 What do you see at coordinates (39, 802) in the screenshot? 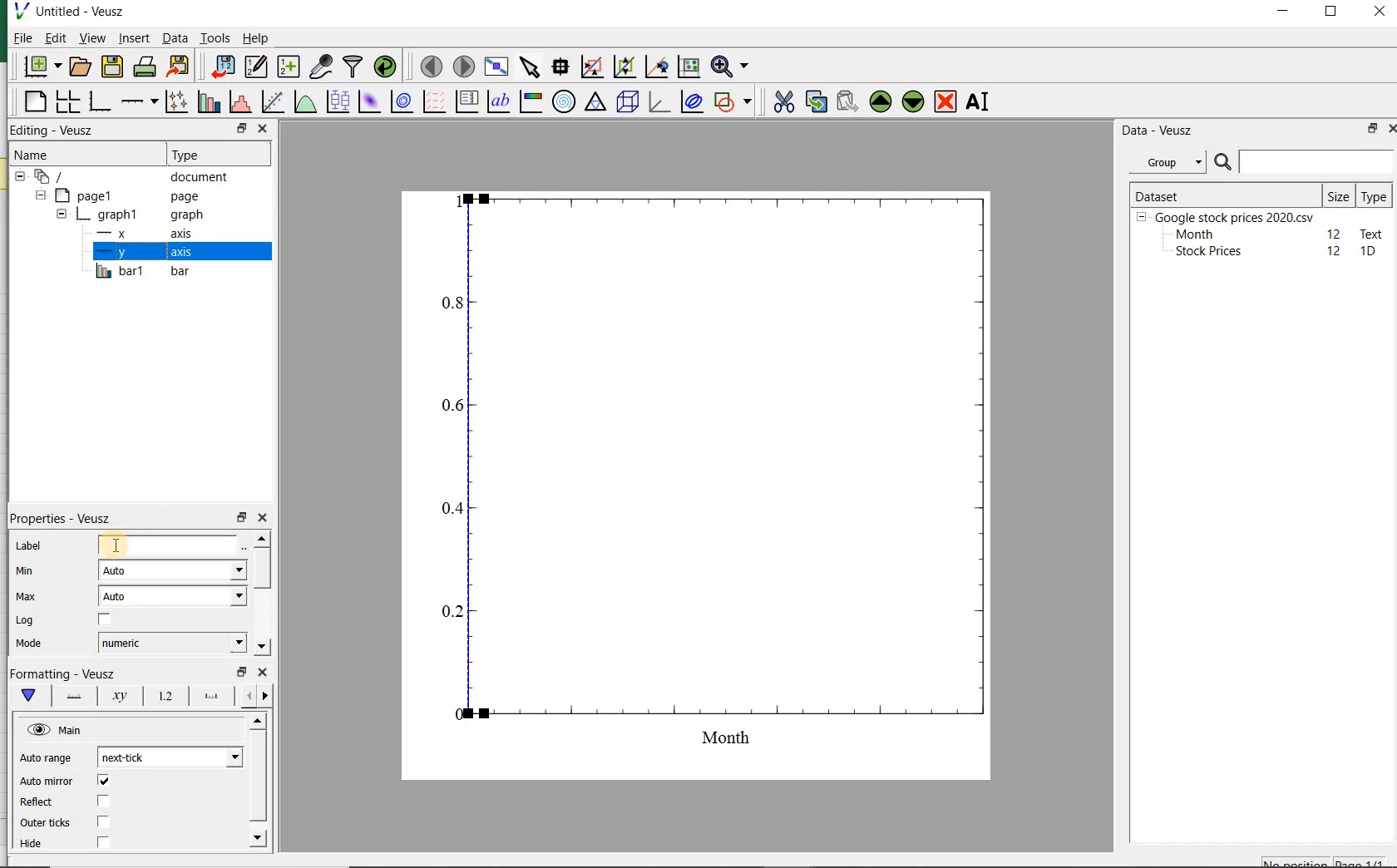
I see `Reflect` at bounding box center [39, 802].